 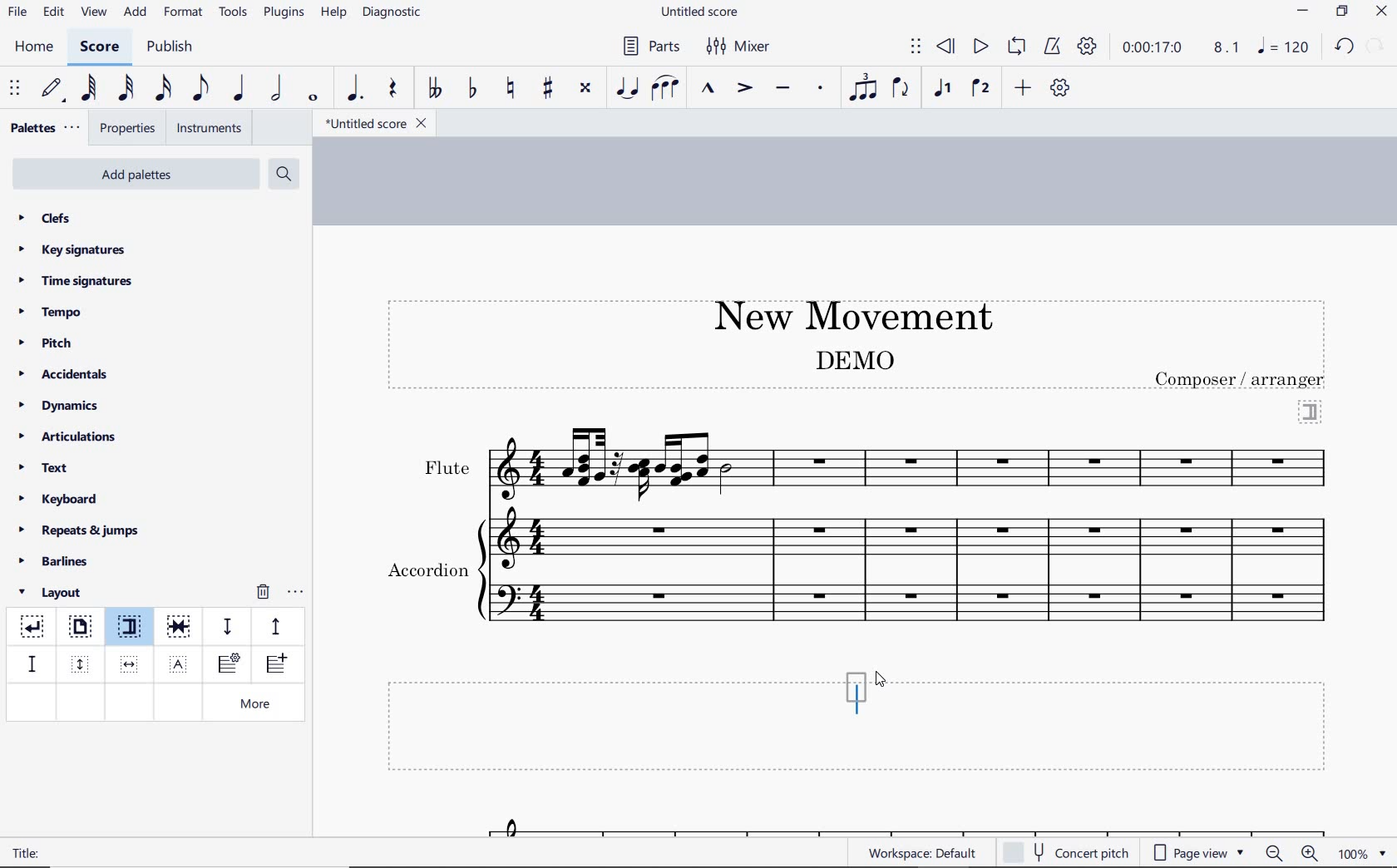 What do you see at coordinates (353, 89) in the screenshot?
I see `augmentation dot` at bounding box center [353, 89].